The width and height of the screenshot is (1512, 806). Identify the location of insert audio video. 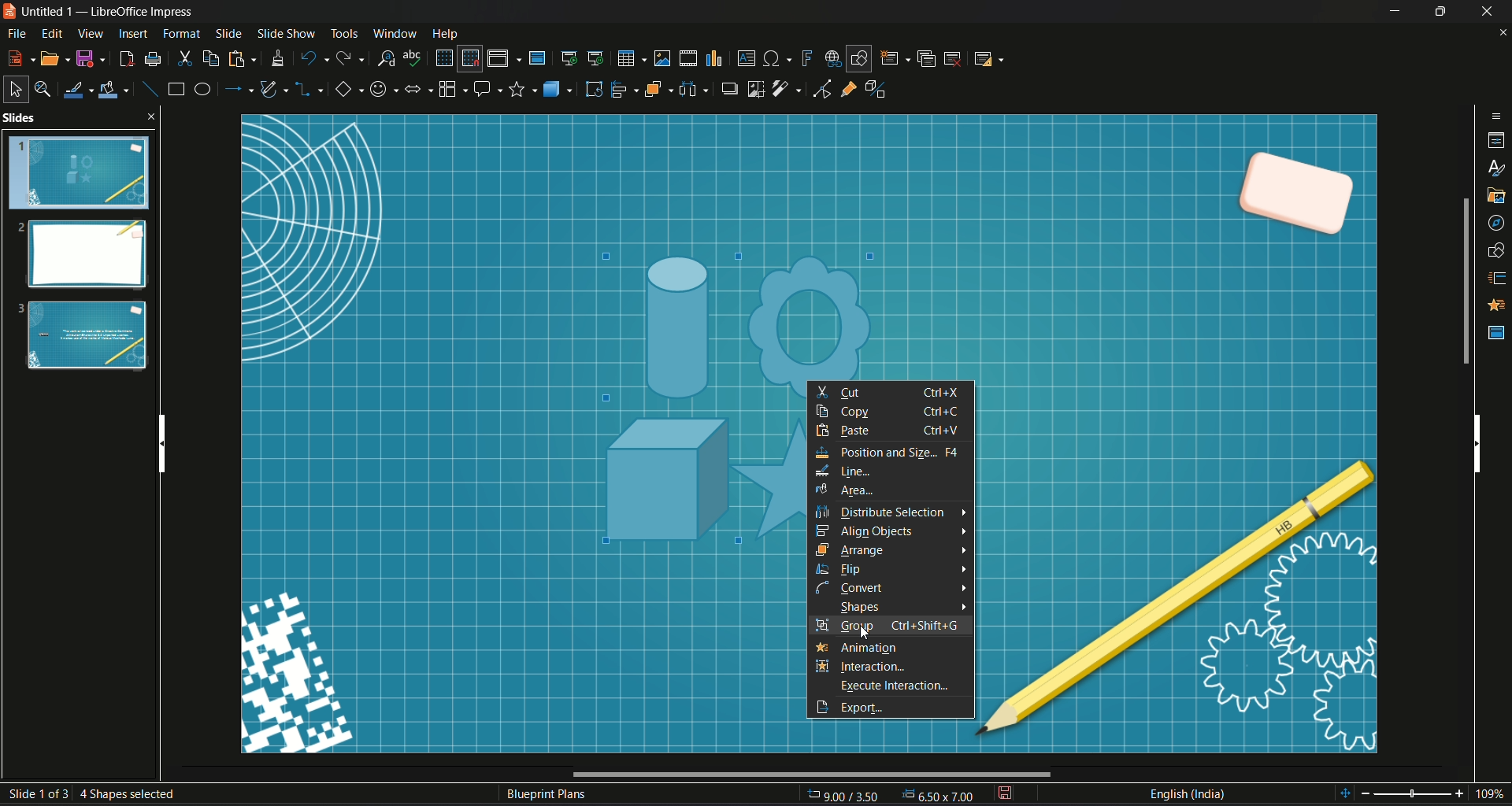
(687, 58).